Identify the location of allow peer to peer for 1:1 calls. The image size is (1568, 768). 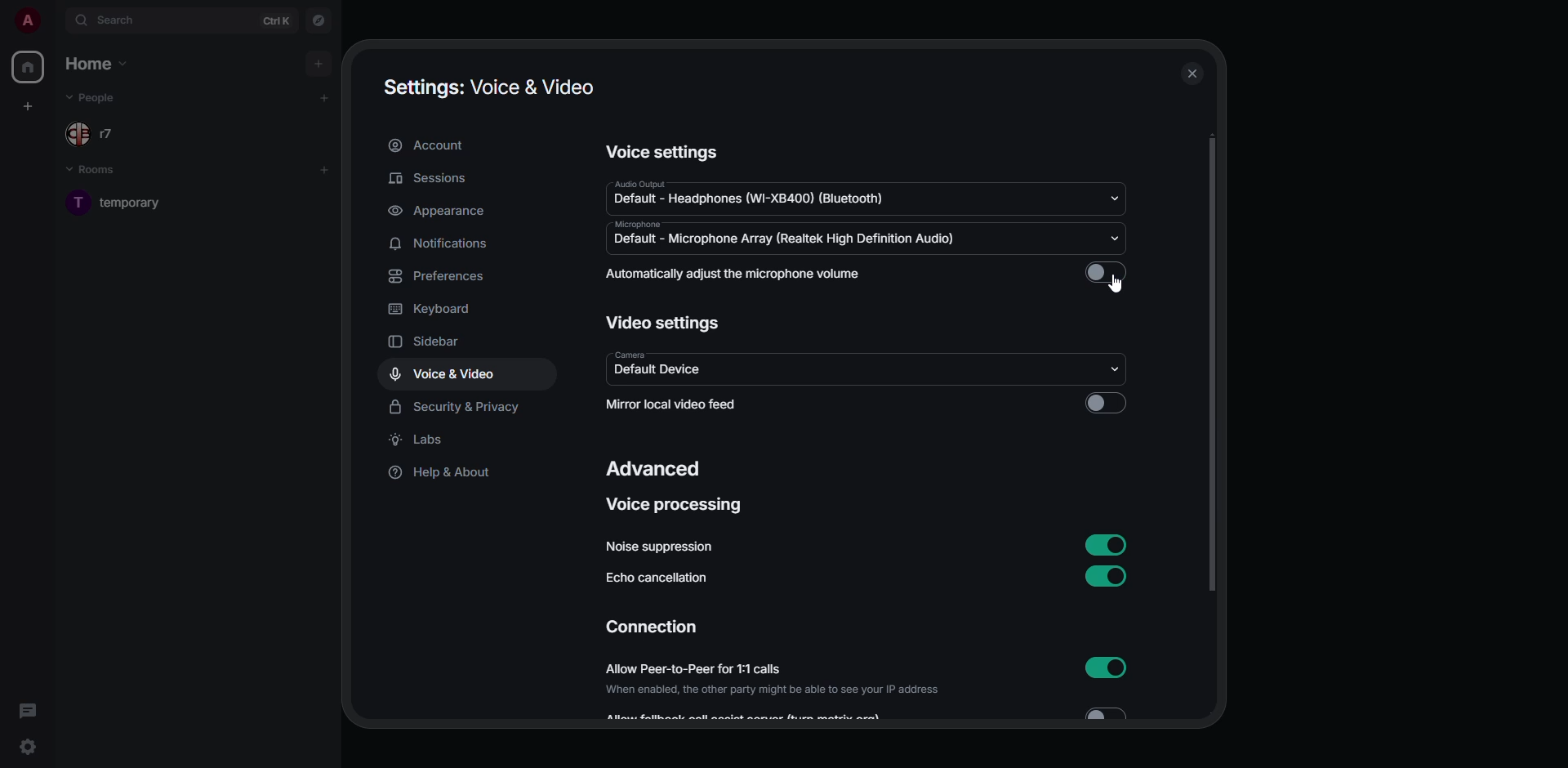
(732, 668).